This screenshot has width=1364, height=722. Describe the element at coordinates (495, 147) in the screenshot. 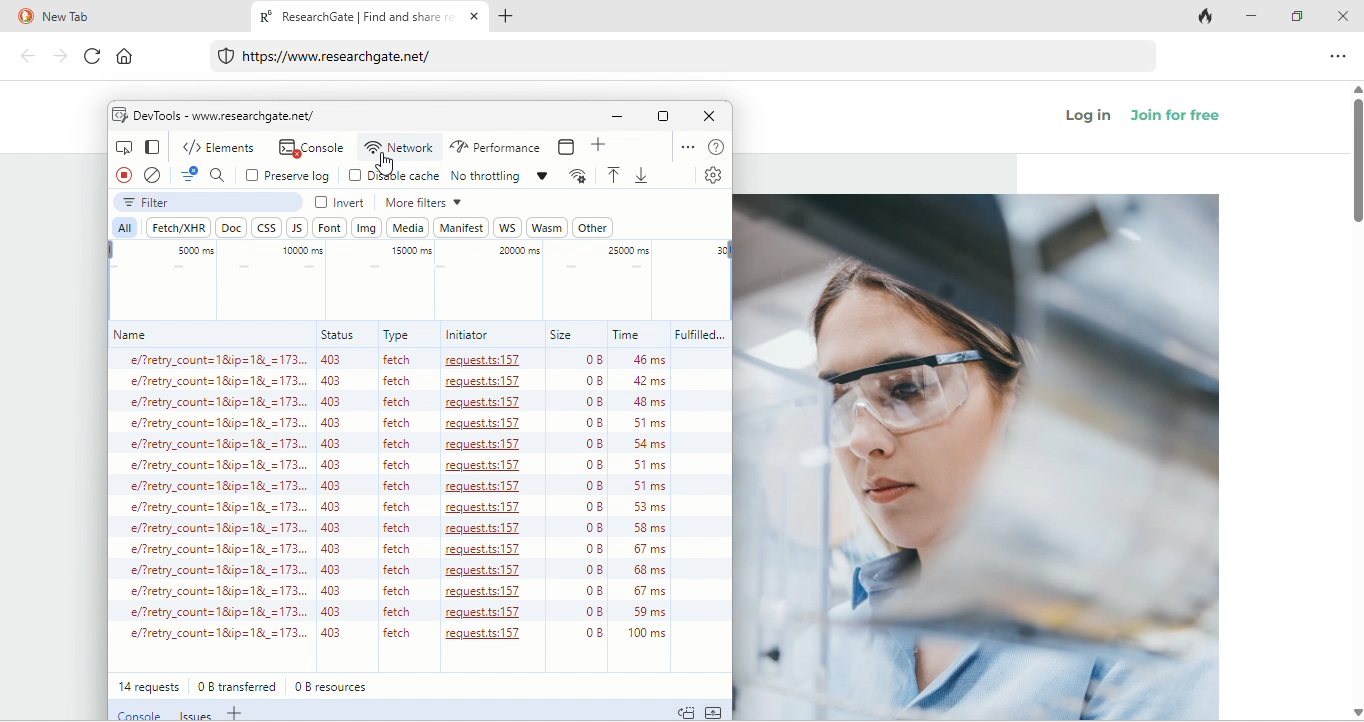

I see `performance` at that location.